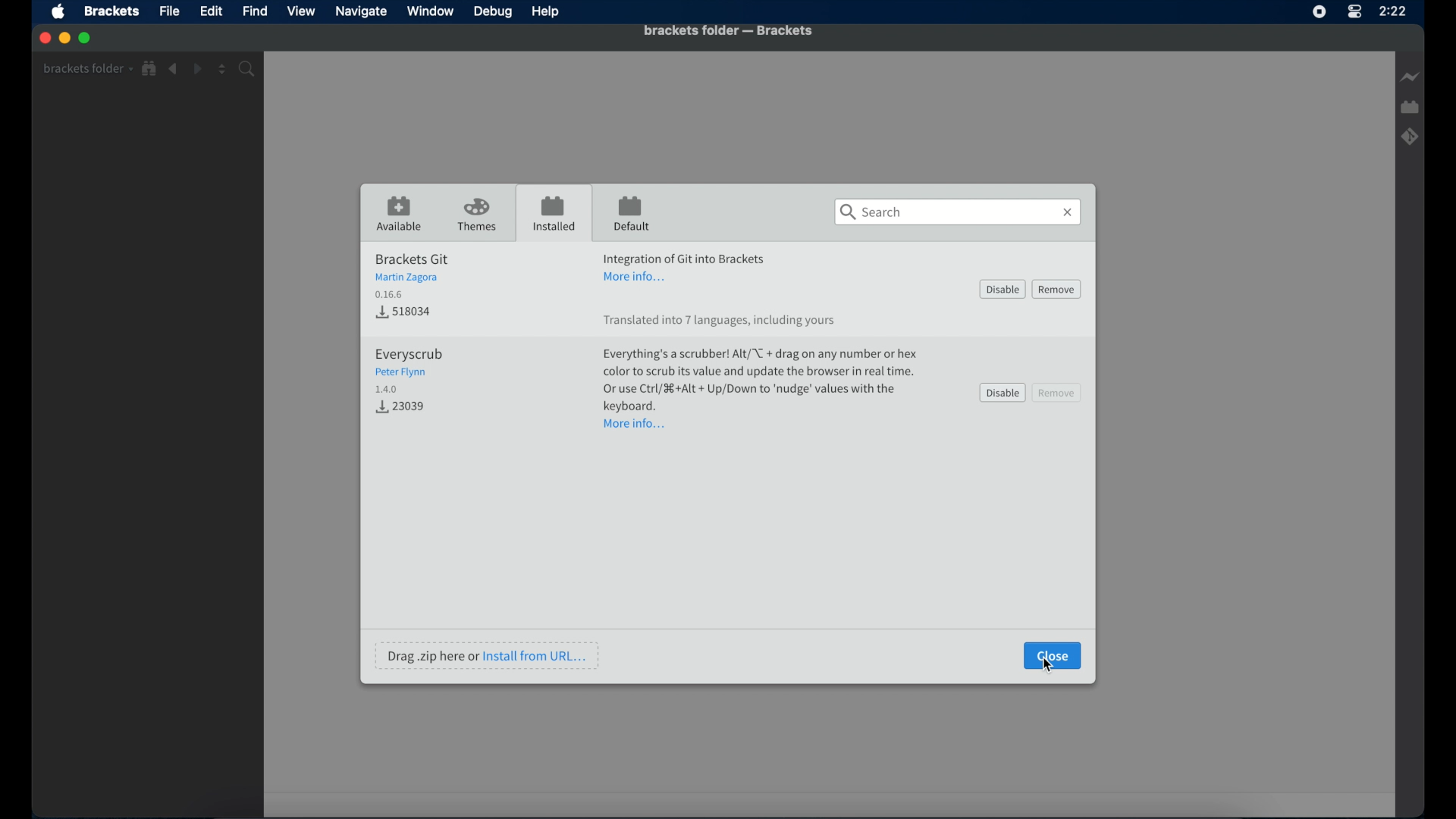  What do you see at coordinates (430, 11) in the screenshot?
I see `window` at bounding box center [430, 11].